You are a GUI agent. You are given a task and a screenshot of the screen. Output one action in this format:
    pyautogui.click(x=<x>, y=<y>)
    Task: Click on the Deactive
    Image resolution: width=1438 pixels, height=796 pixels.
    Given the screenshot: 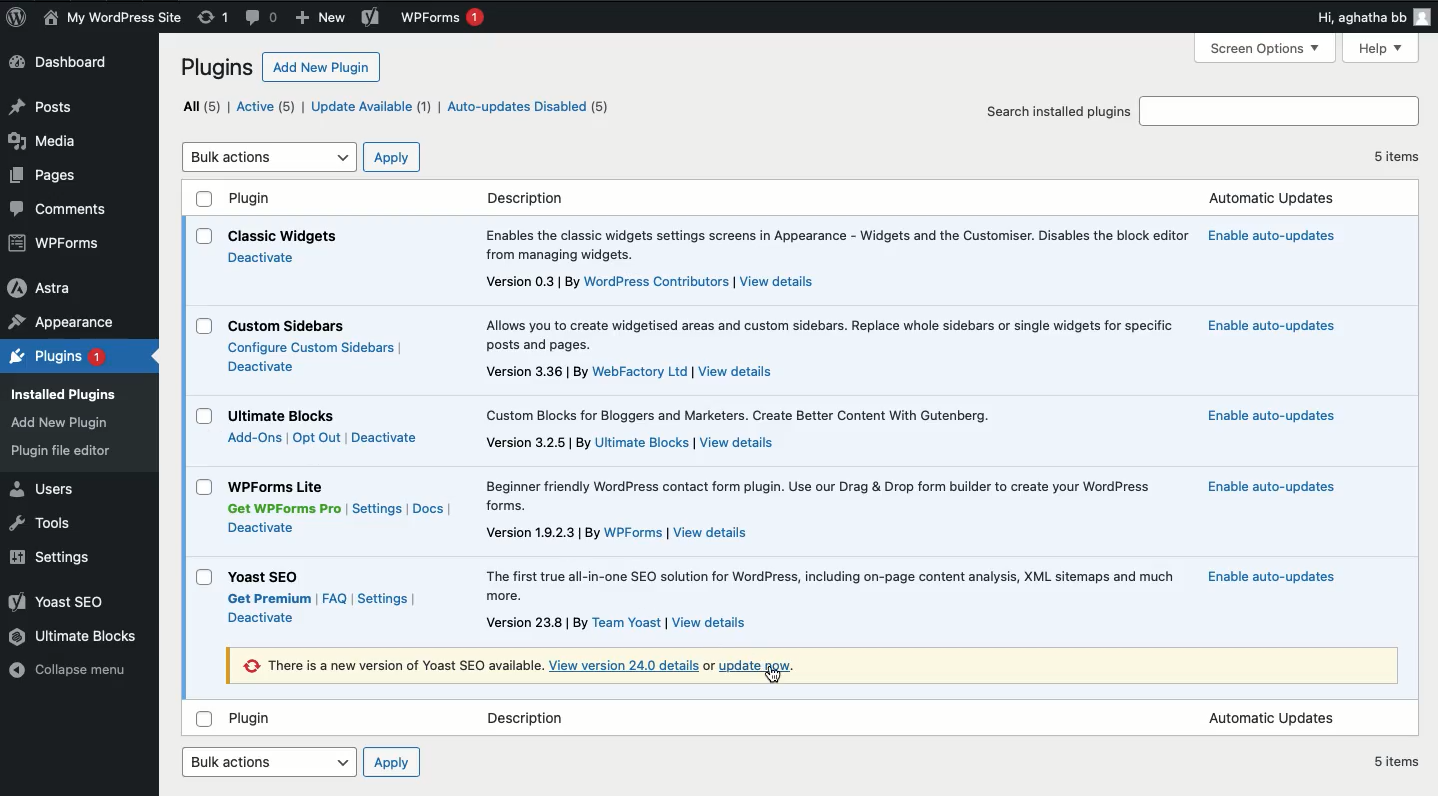 What is the action you would take?
    pyautogui.click(x=262, y=618)
    